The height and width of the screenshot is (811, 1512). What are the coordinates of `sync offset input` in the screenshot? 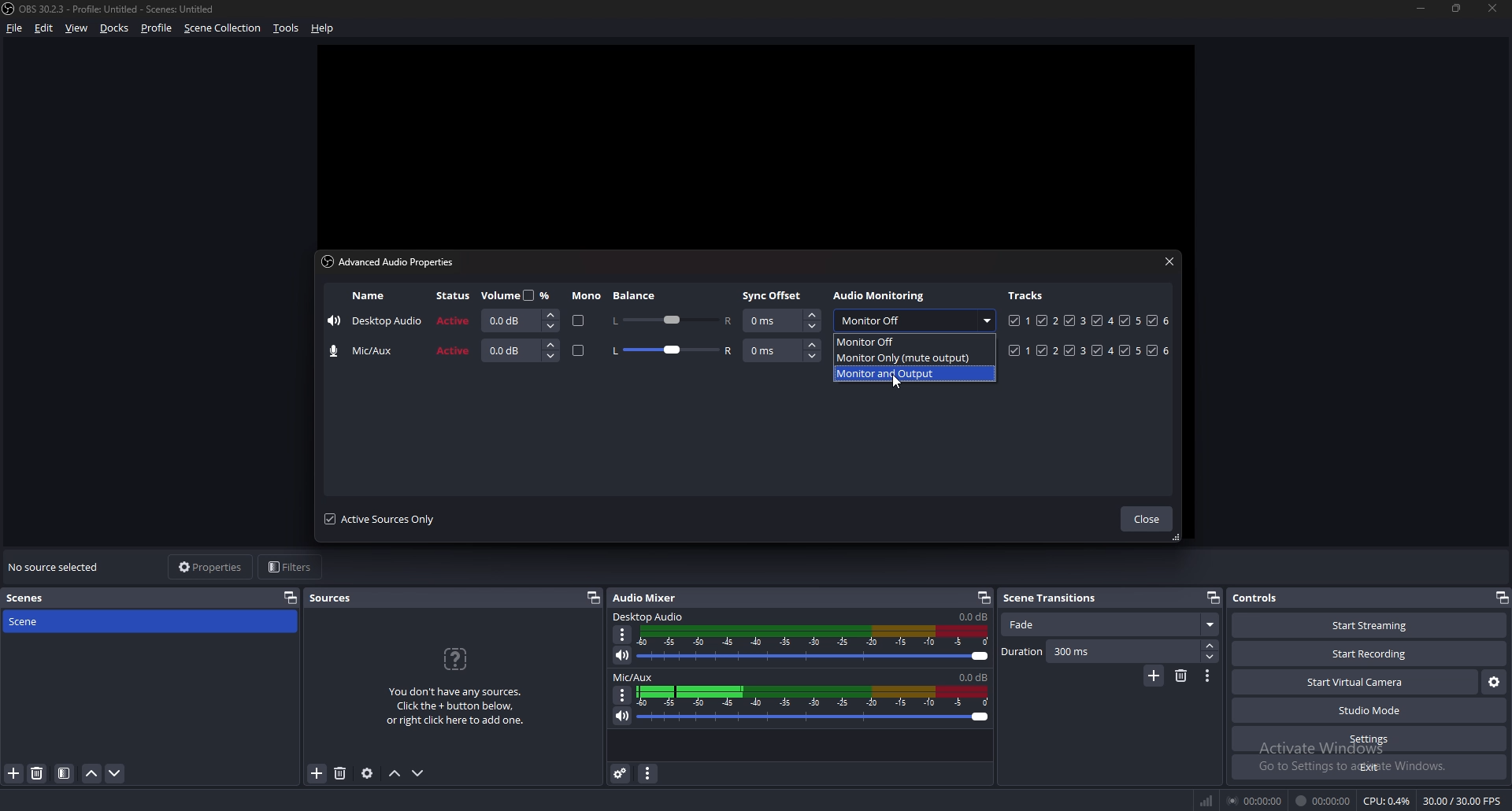 It's located at (781, 321).